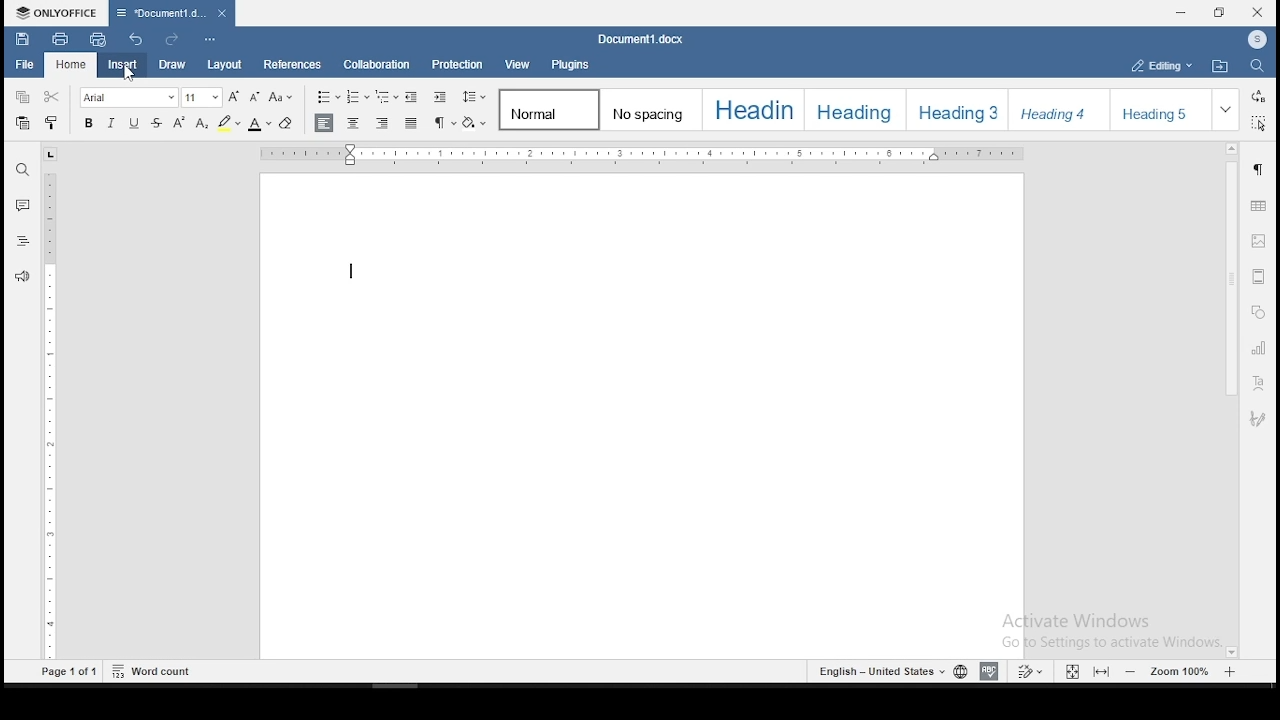  What do you see at coordinates (131, 98) in the screenshot?
I see `font` at bounding box center [131, 98].